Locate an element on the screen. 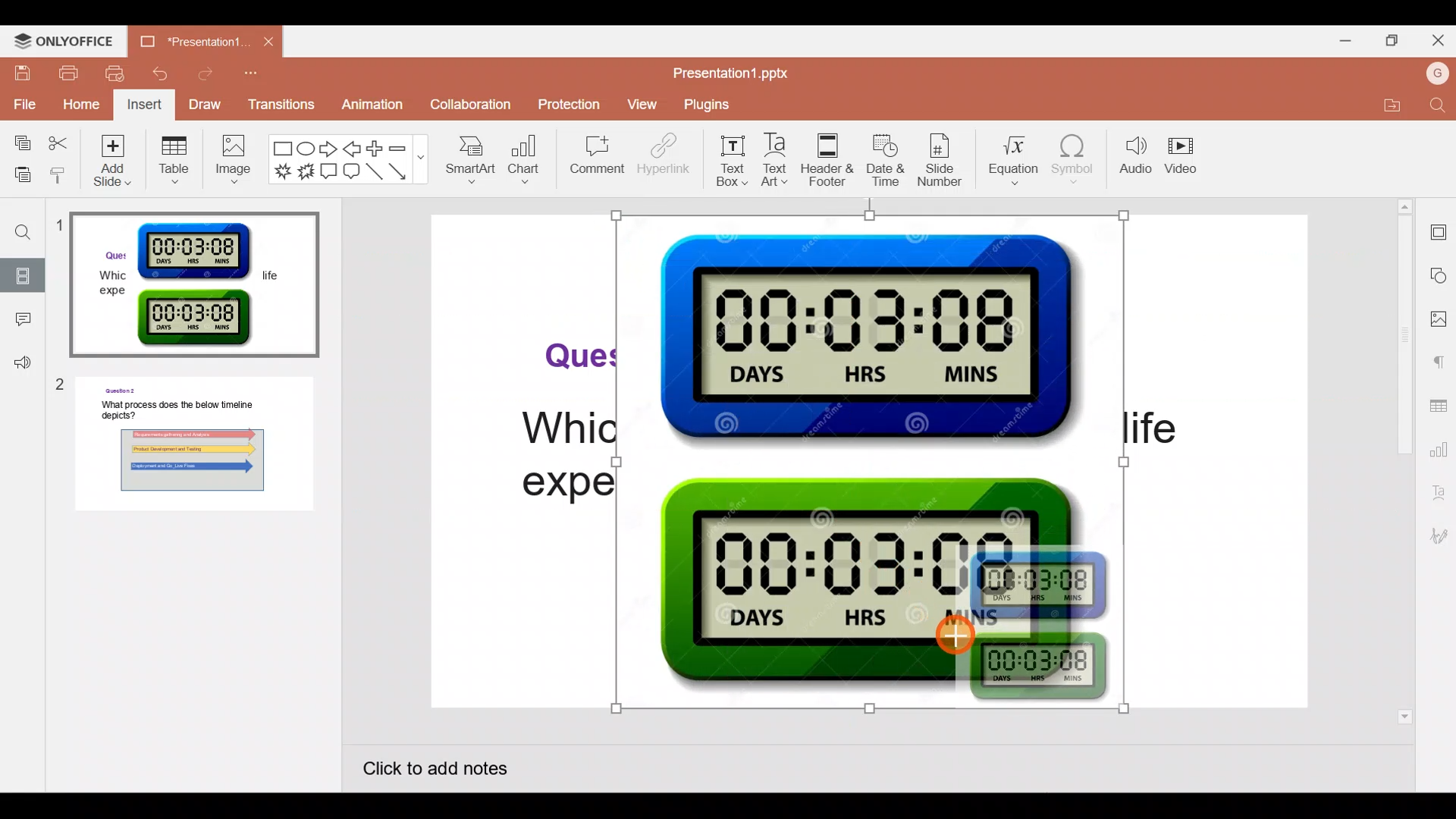  Copy is located at coordinates (19, 143).